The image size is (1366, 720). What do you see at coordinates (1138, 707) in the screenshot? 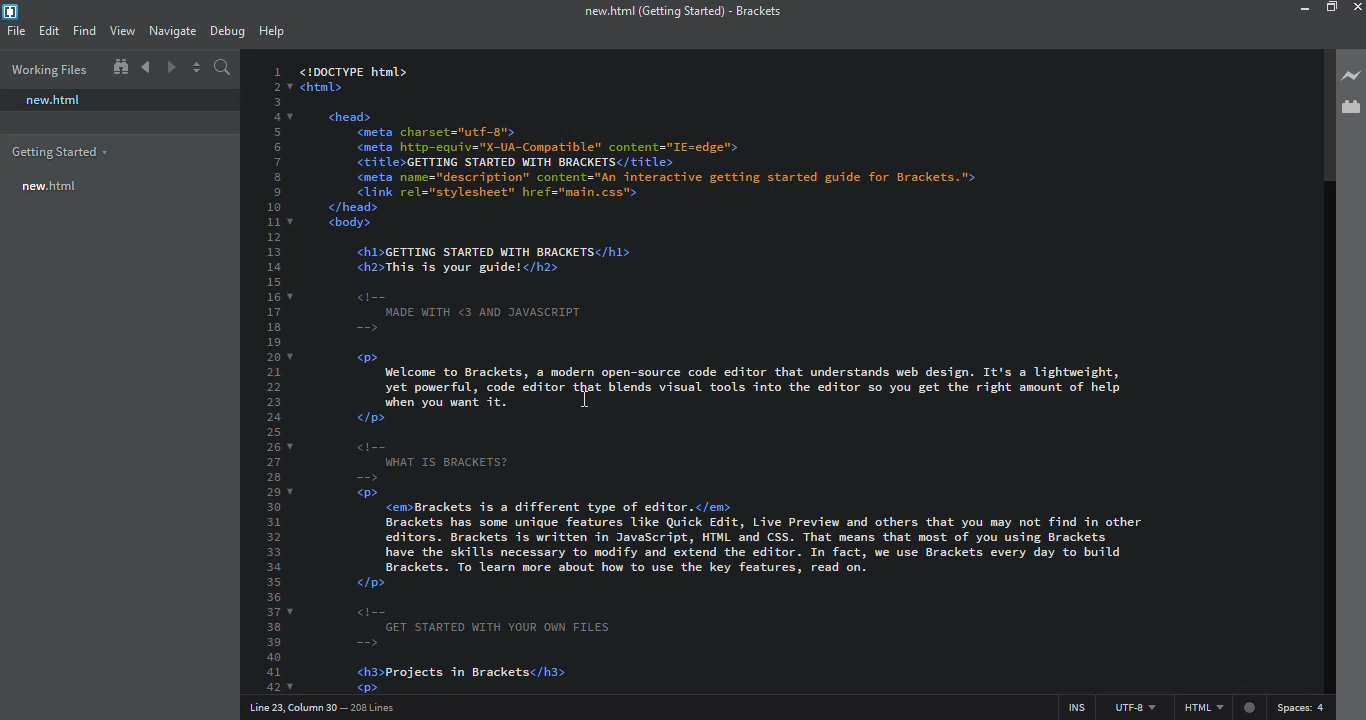
I see `utf 8` at bounding box center [1138, 707].